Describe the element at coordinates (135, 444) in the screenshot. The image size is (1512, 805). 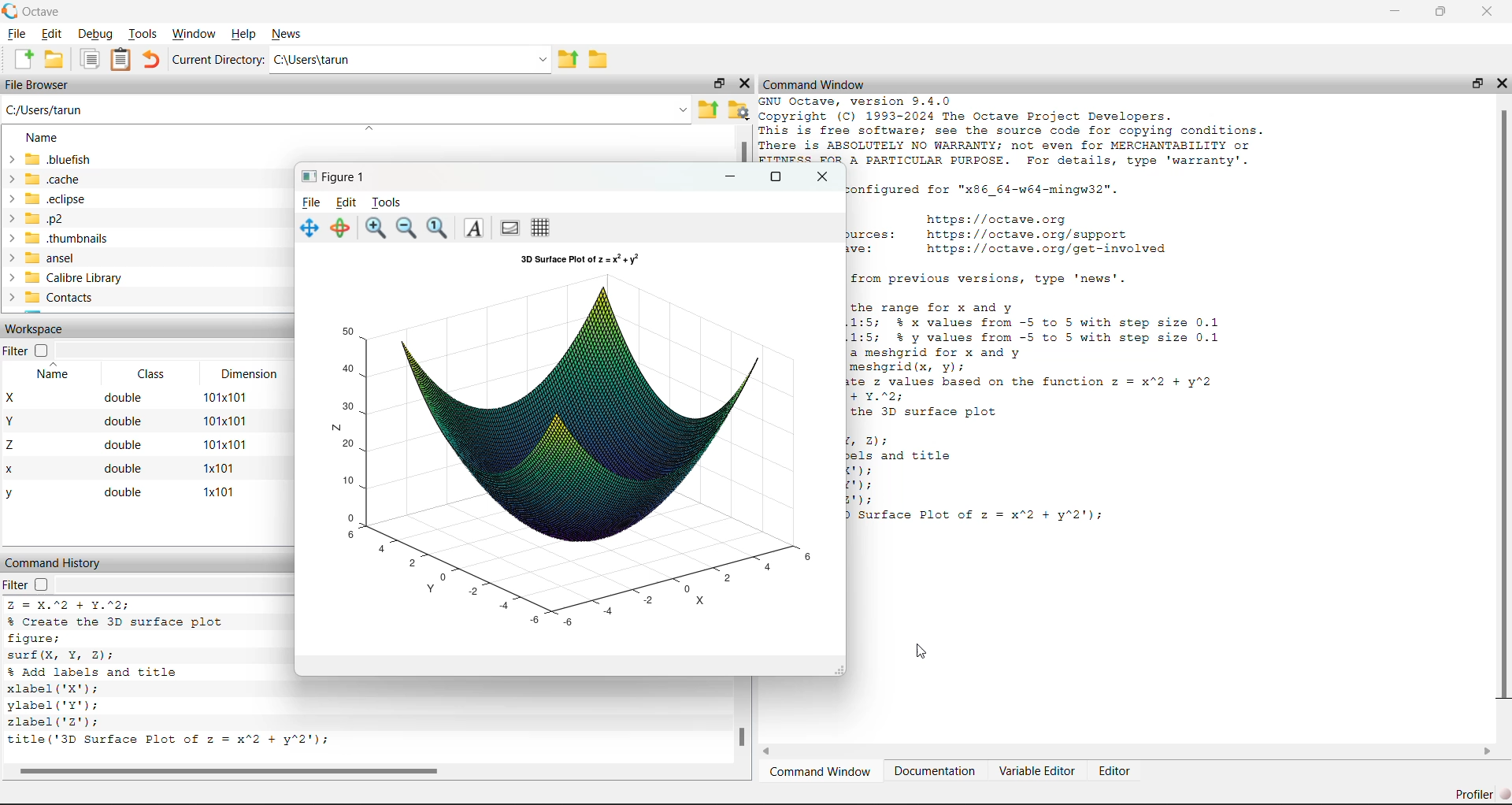
I see `Z double 101x101` at that location.